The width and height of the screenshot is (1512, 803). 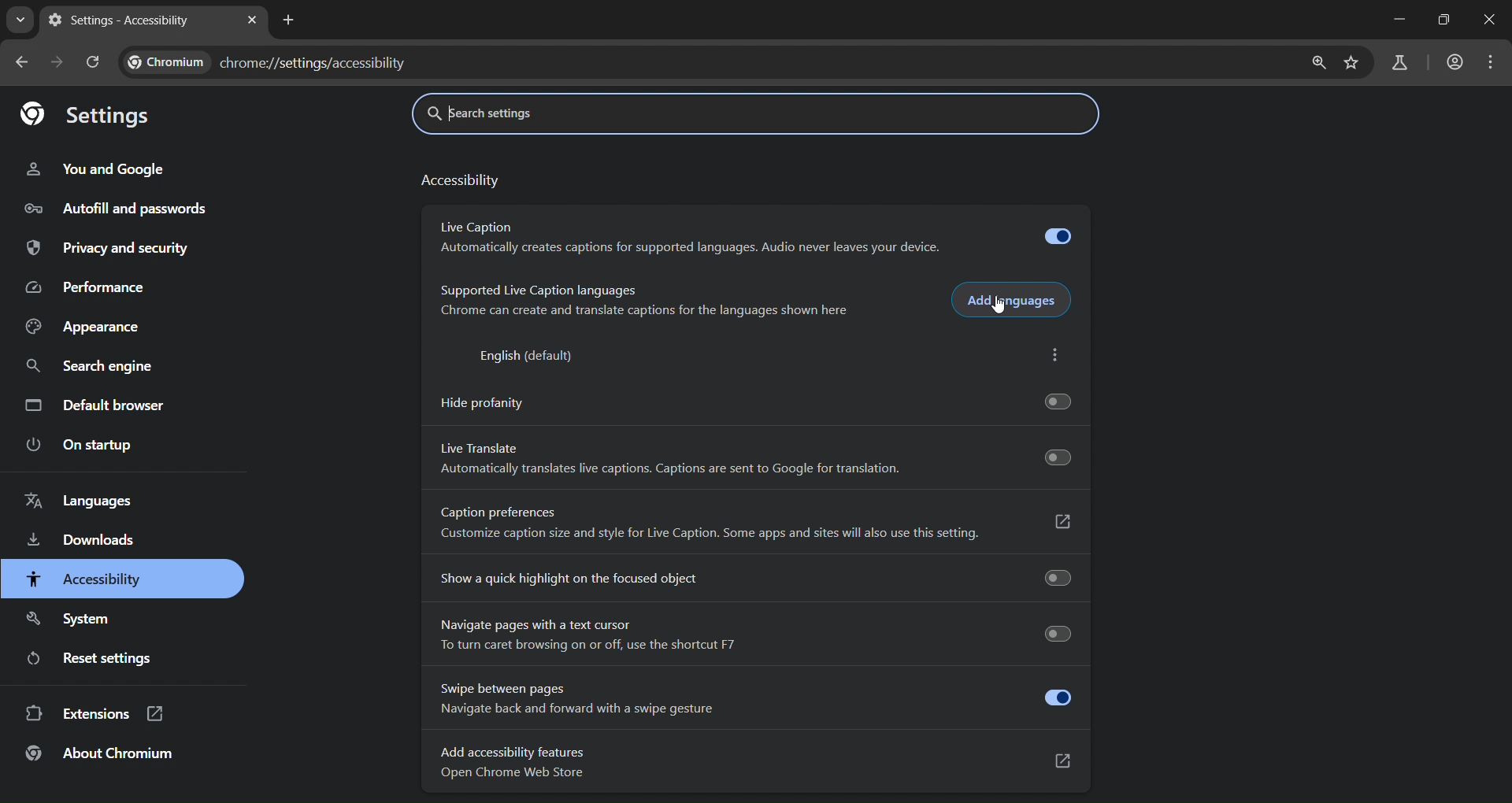 What do you see at coordinates (95, 62) in the screenshot?
I see `reload page` at bounding box center [95, 62].